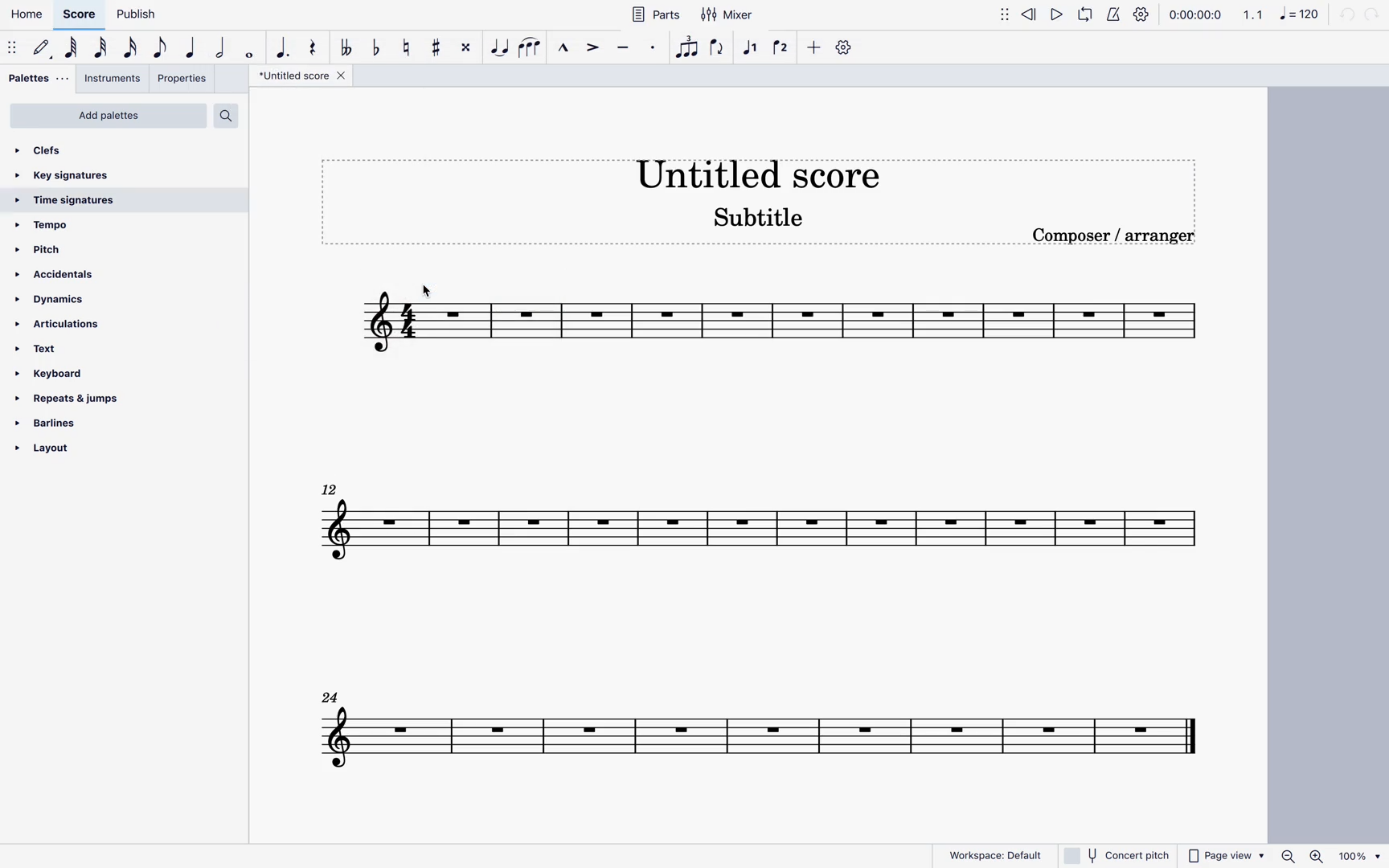 This screenshot has width=1389, height=868. Describe the element at coordinates (65, 455) in the screenshot. I see `layout` at that location.